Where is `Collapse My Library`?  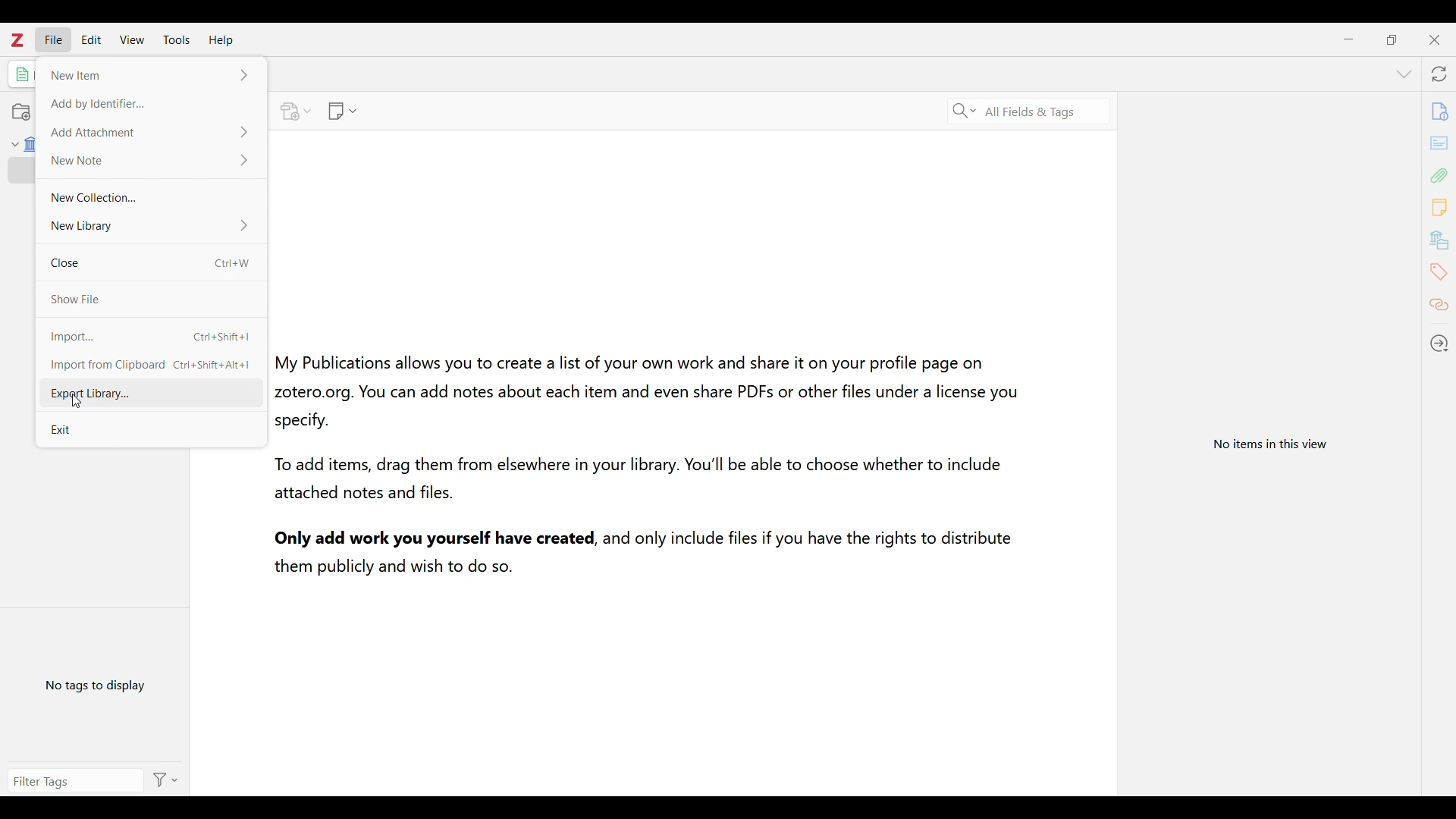
Collapse My Library is located at coordinates (15, 144).